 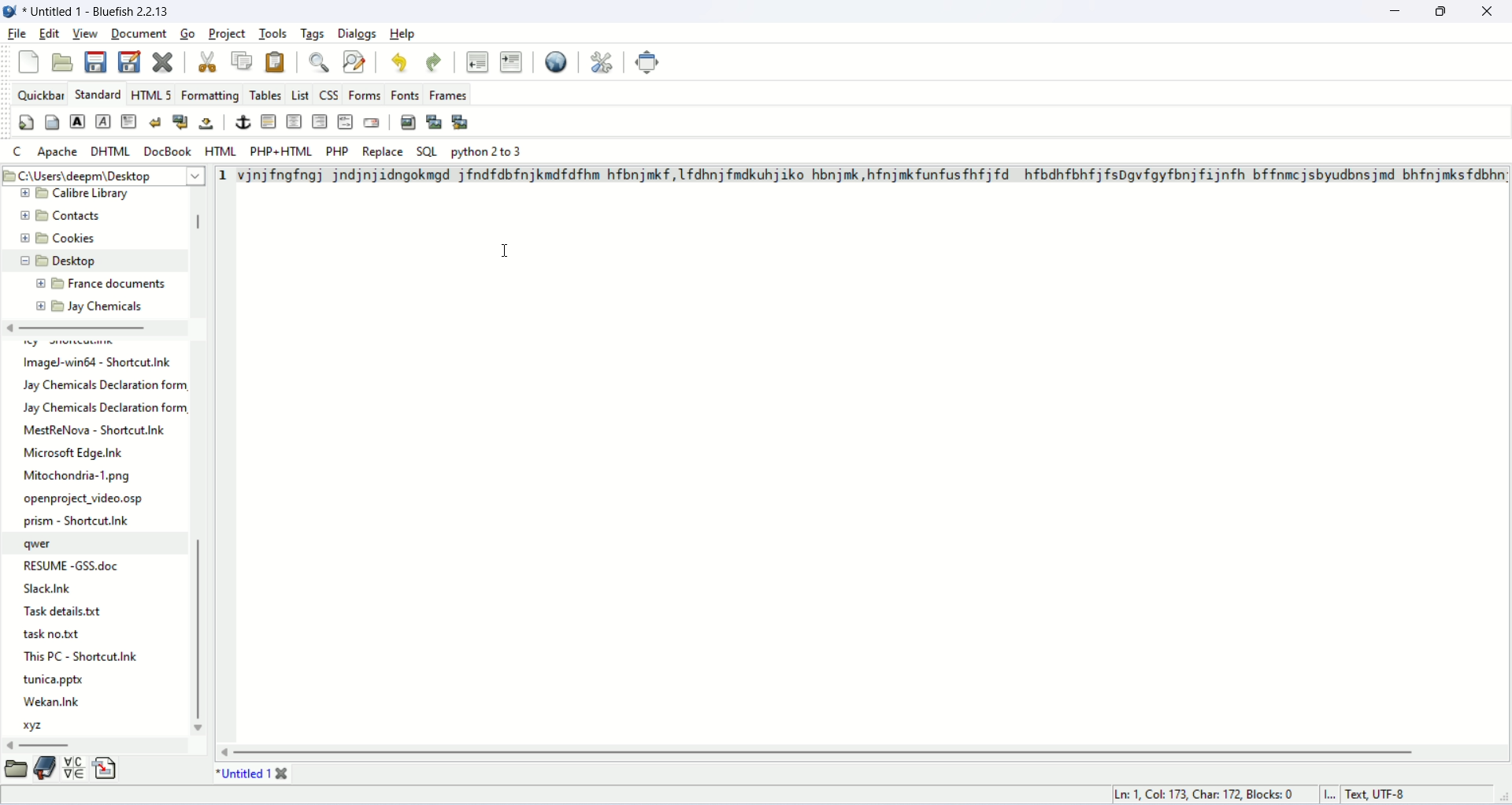 What do you see at coordinates (111, 151) in the screenshot?
I see `DHTML` at bounding box center [111, 151].